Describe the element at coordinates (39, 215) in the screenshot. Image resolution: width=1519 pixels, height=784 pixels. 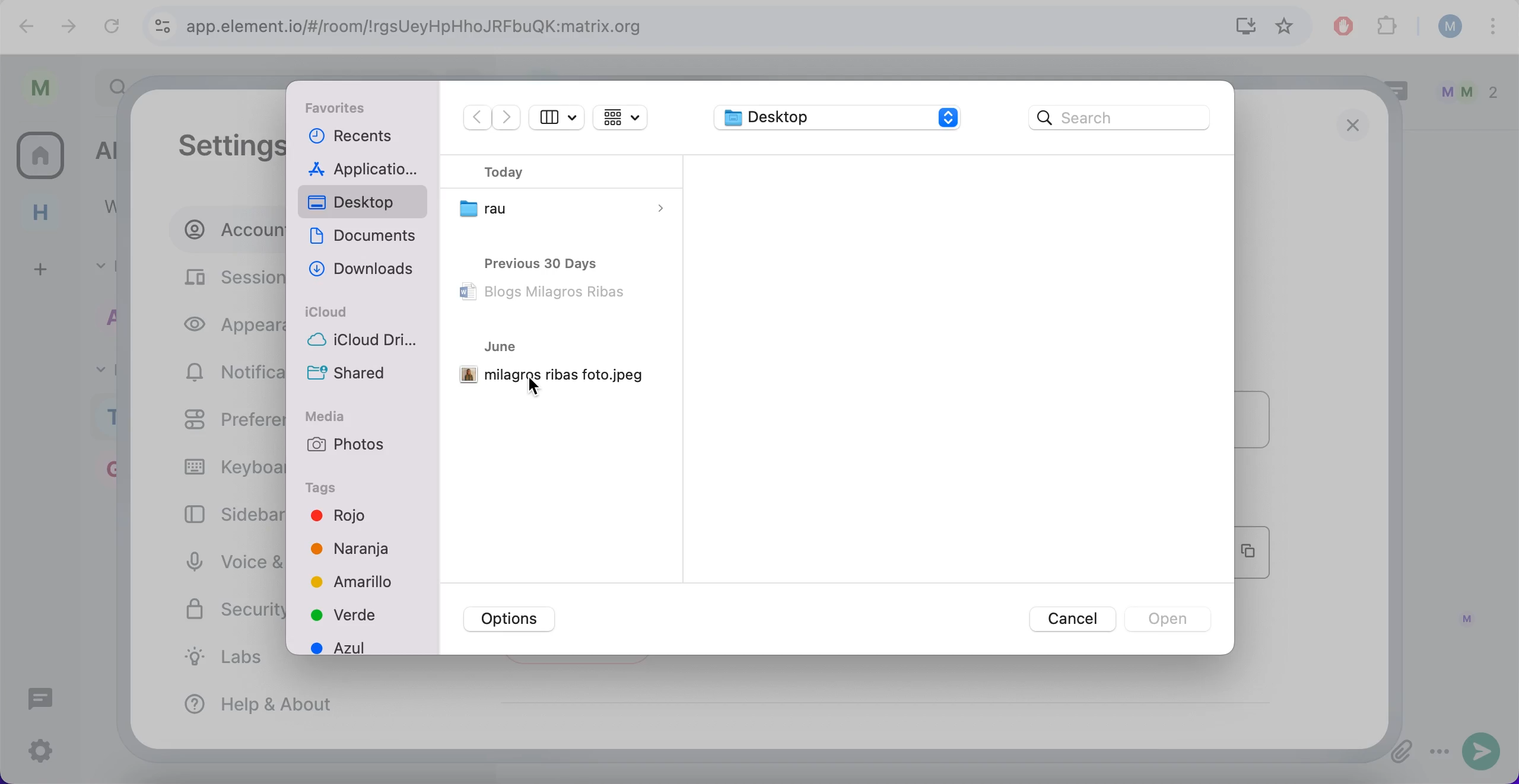
I see `home` at that location.